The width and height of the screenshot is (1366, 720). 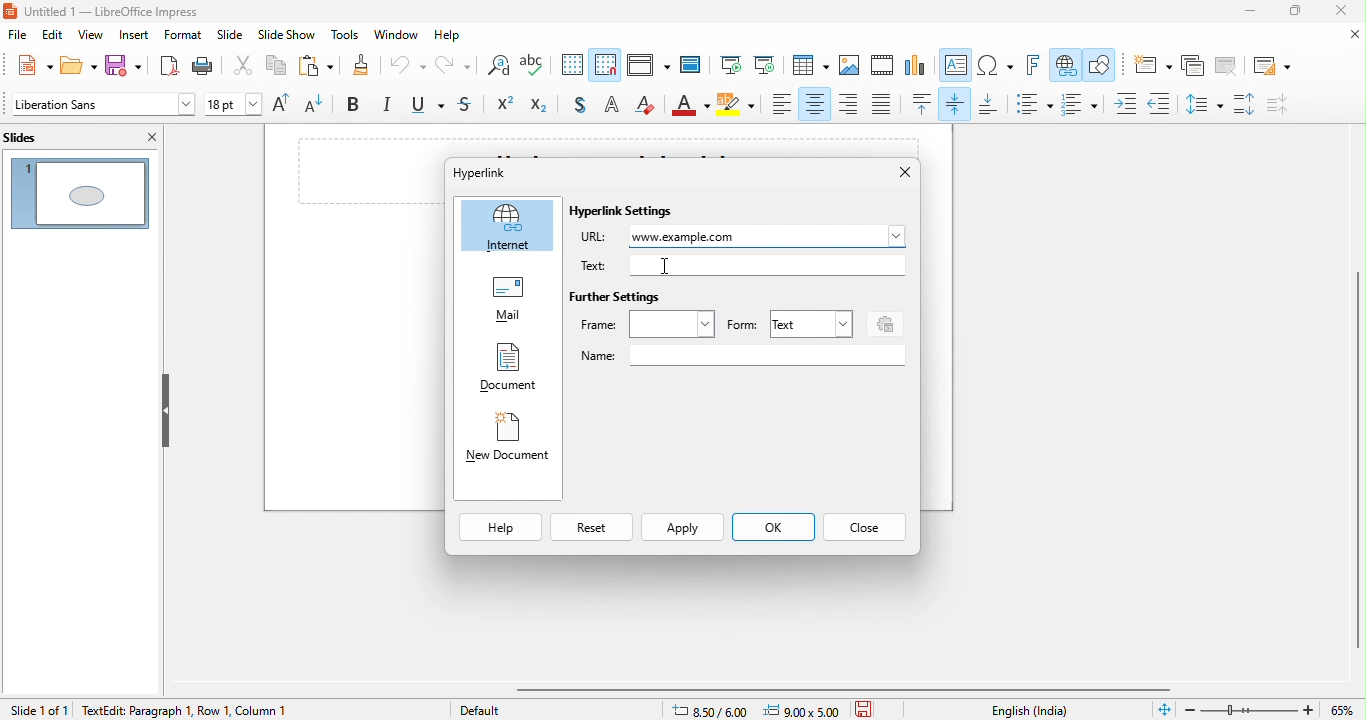 What do you see at coordinates (670, 264) in the screenshot?
I see `cursor movement` at bounding box center [670, 264].